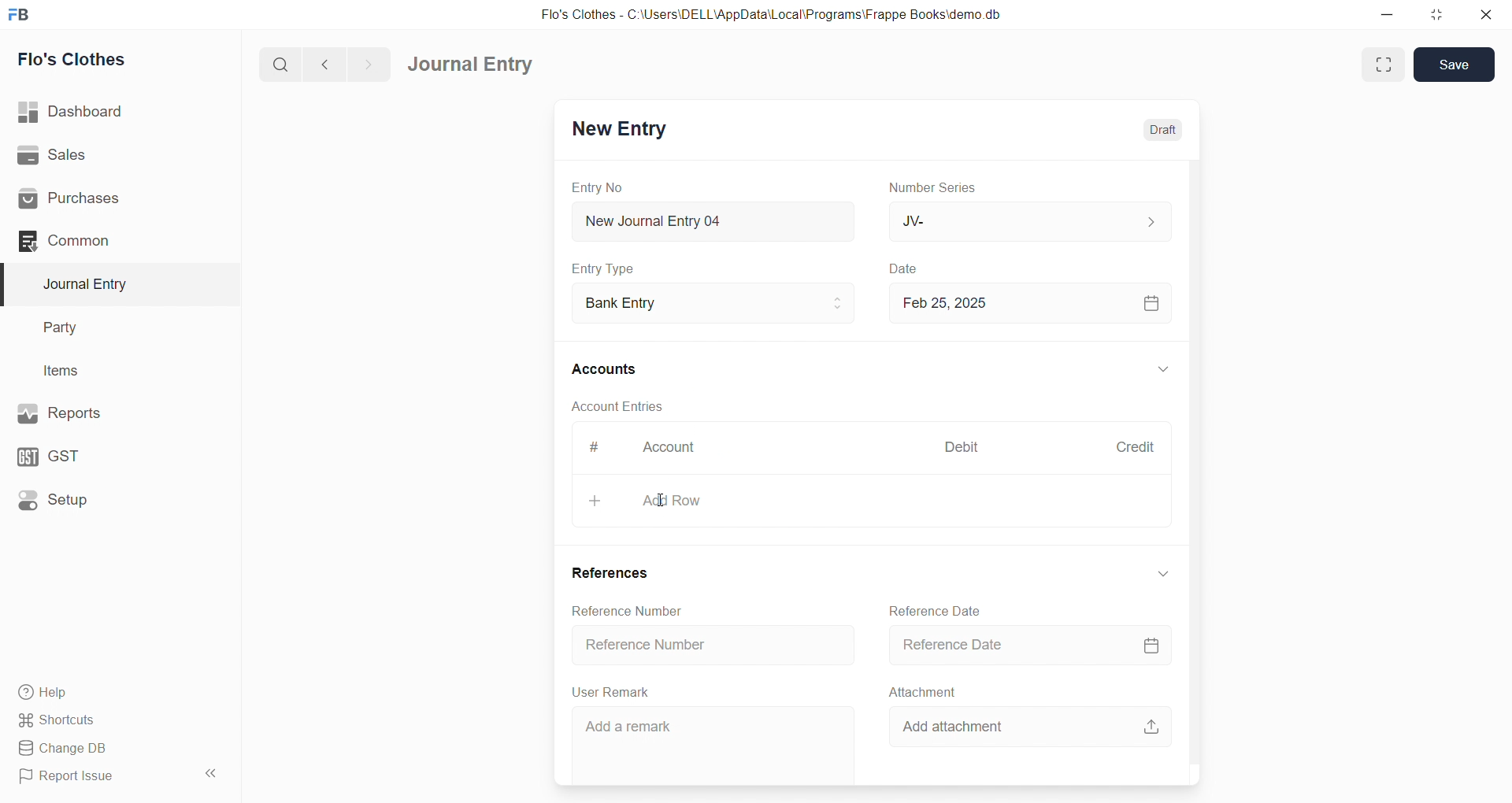 The height and width of the screenshot is (803, 1512). I want to click on Feb 25, 2025, so click(1027, 302).